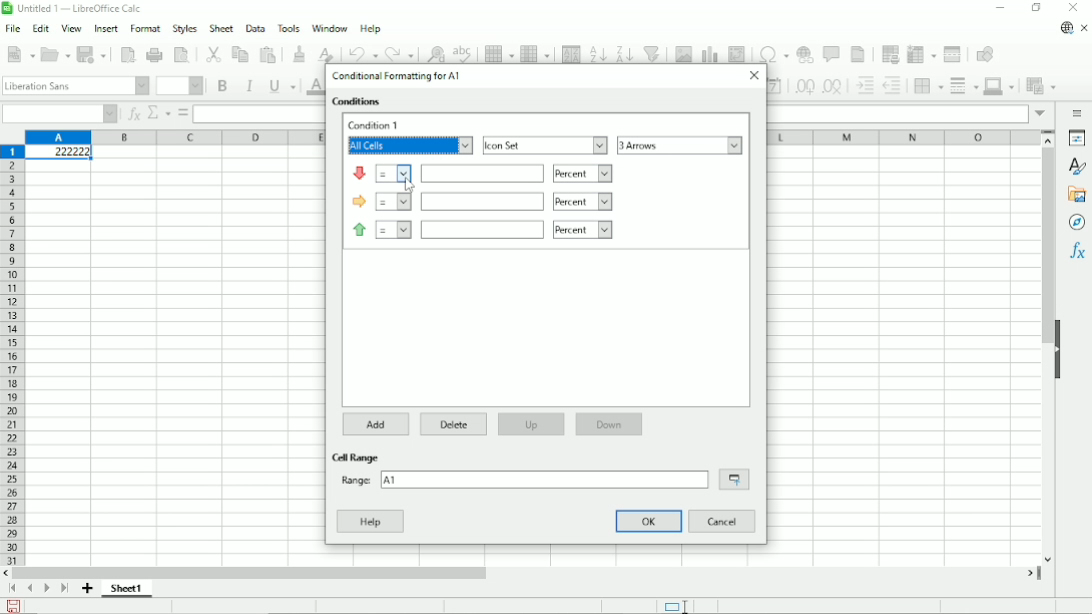 The height and width of the screenshot is (614, 1092). What do you see at coordinates (530, 424) in the screenshot?
I see `Up` at bounding box center [530, 424].